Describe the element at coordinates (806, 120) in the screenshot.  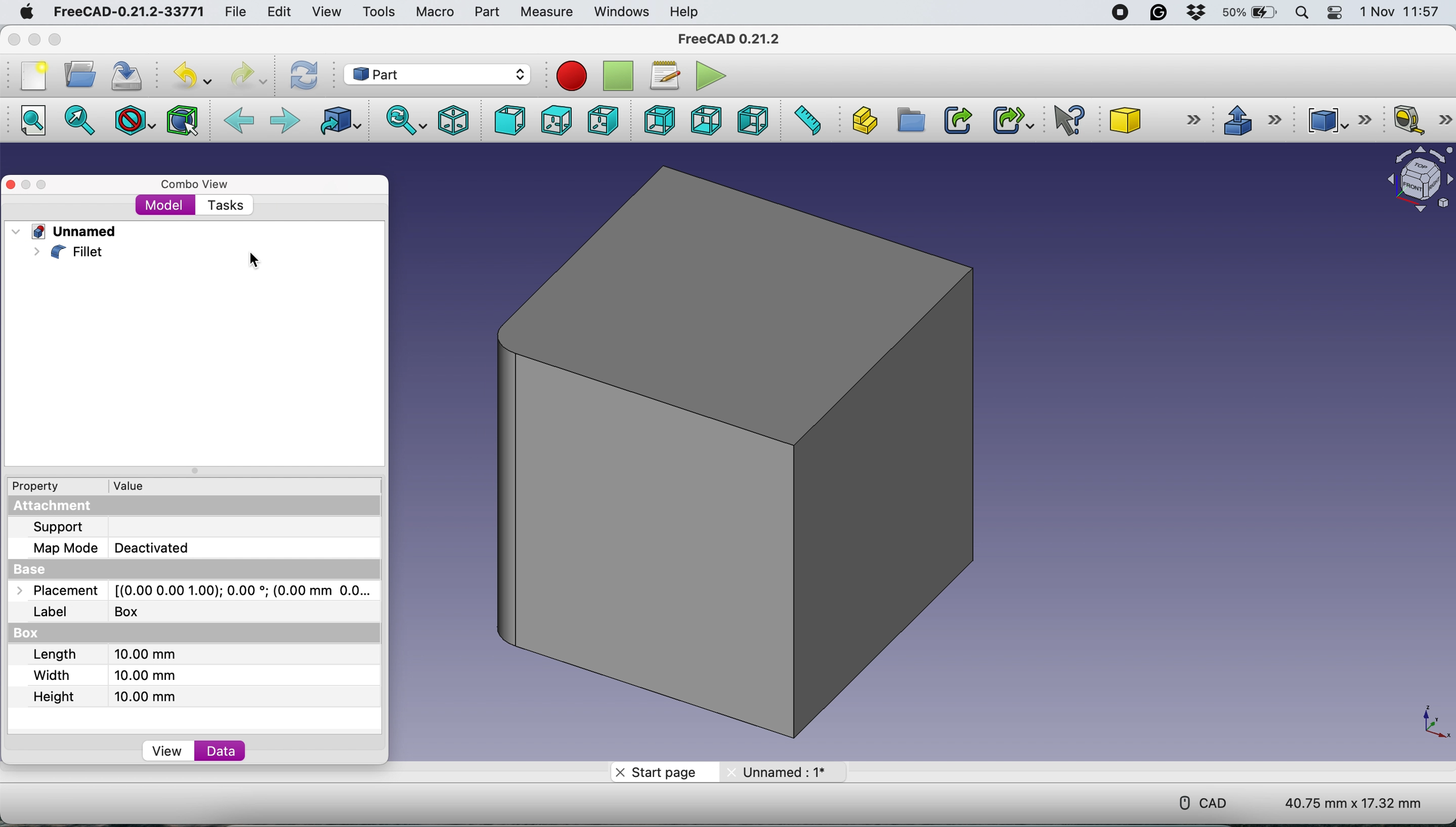
I see `measure distance` at that location.